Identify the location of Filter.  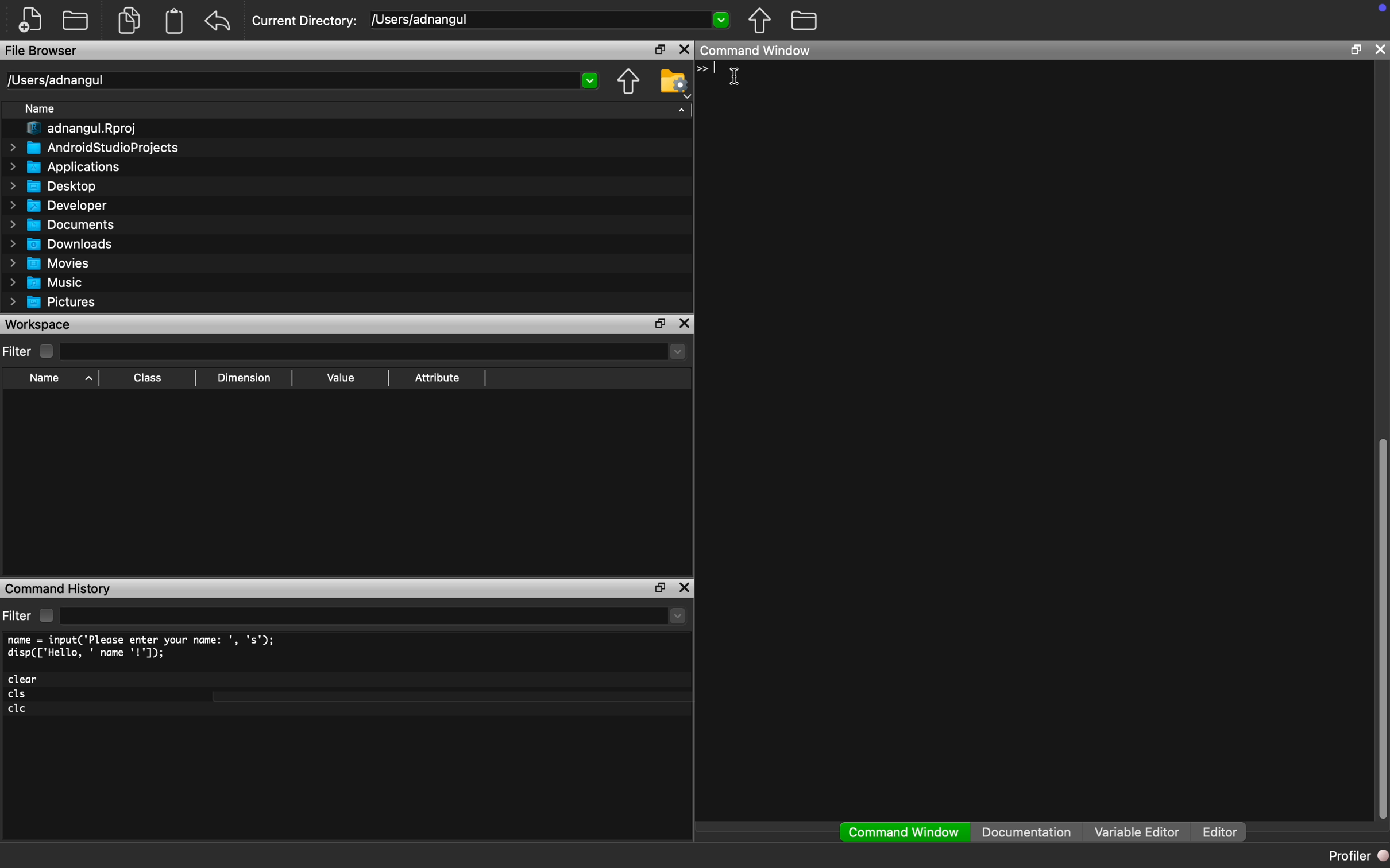
(30, 615).